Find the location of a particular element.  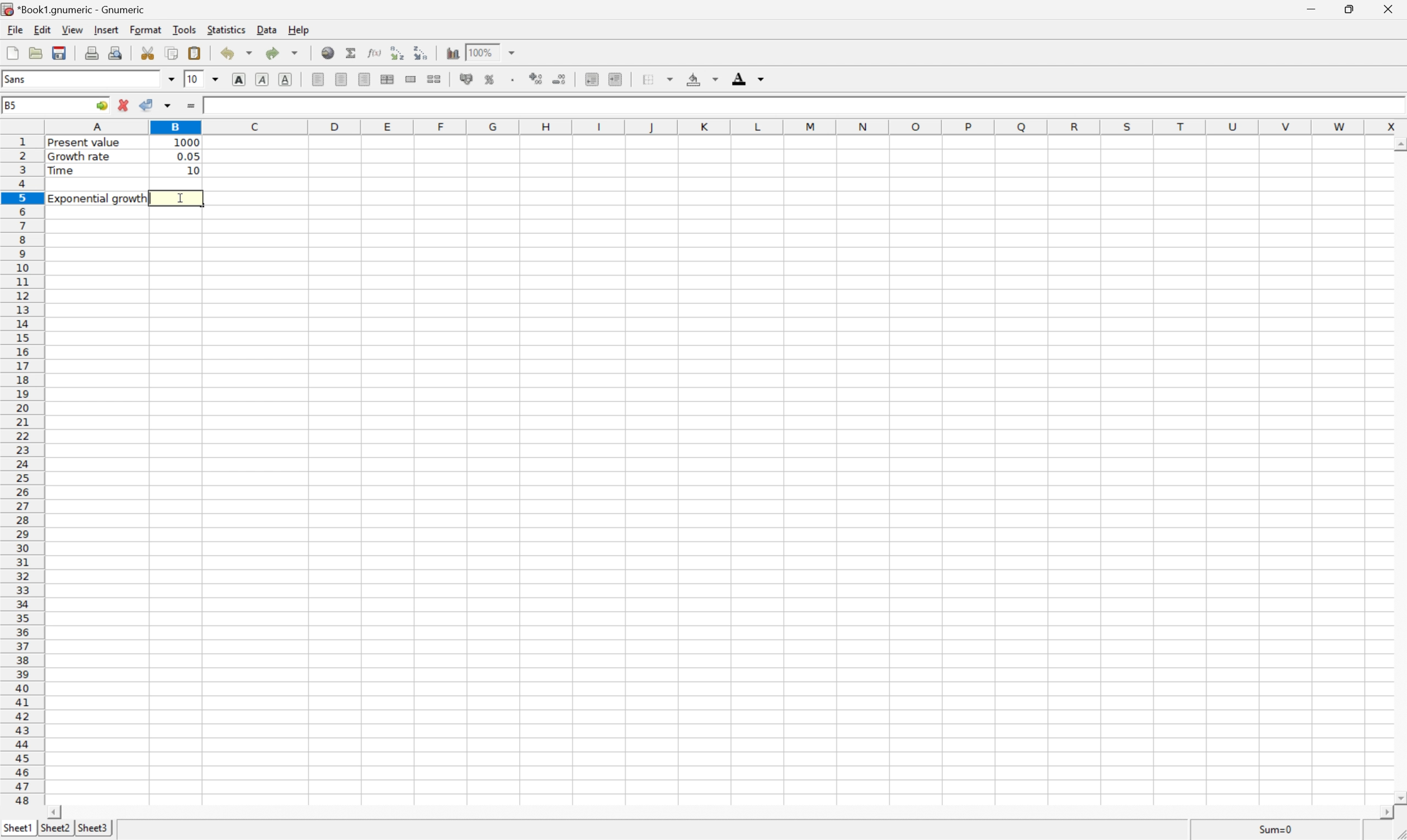

Drop Down is located at coordinates (216, 80).